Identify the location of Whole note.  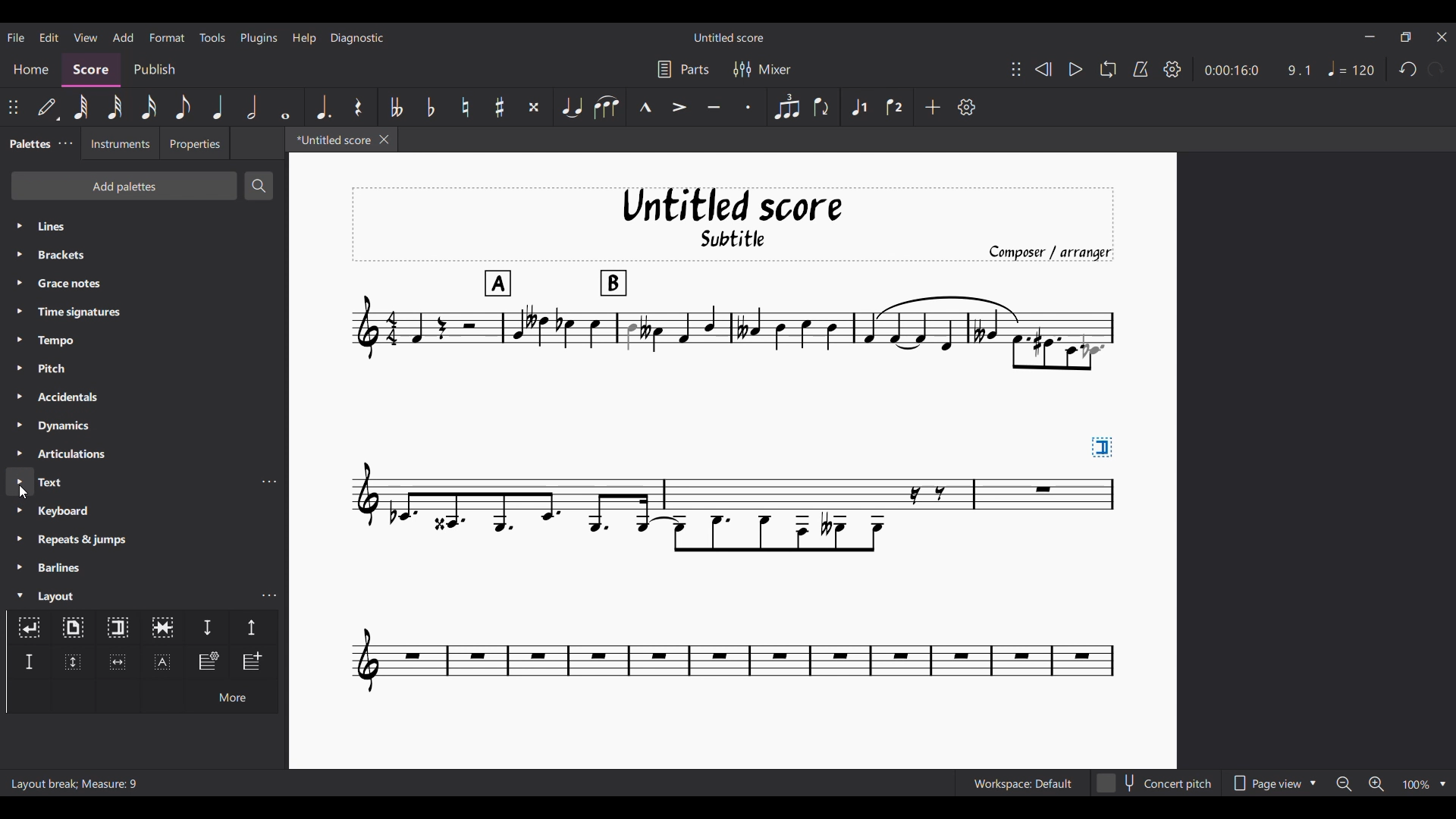
(287, 107).